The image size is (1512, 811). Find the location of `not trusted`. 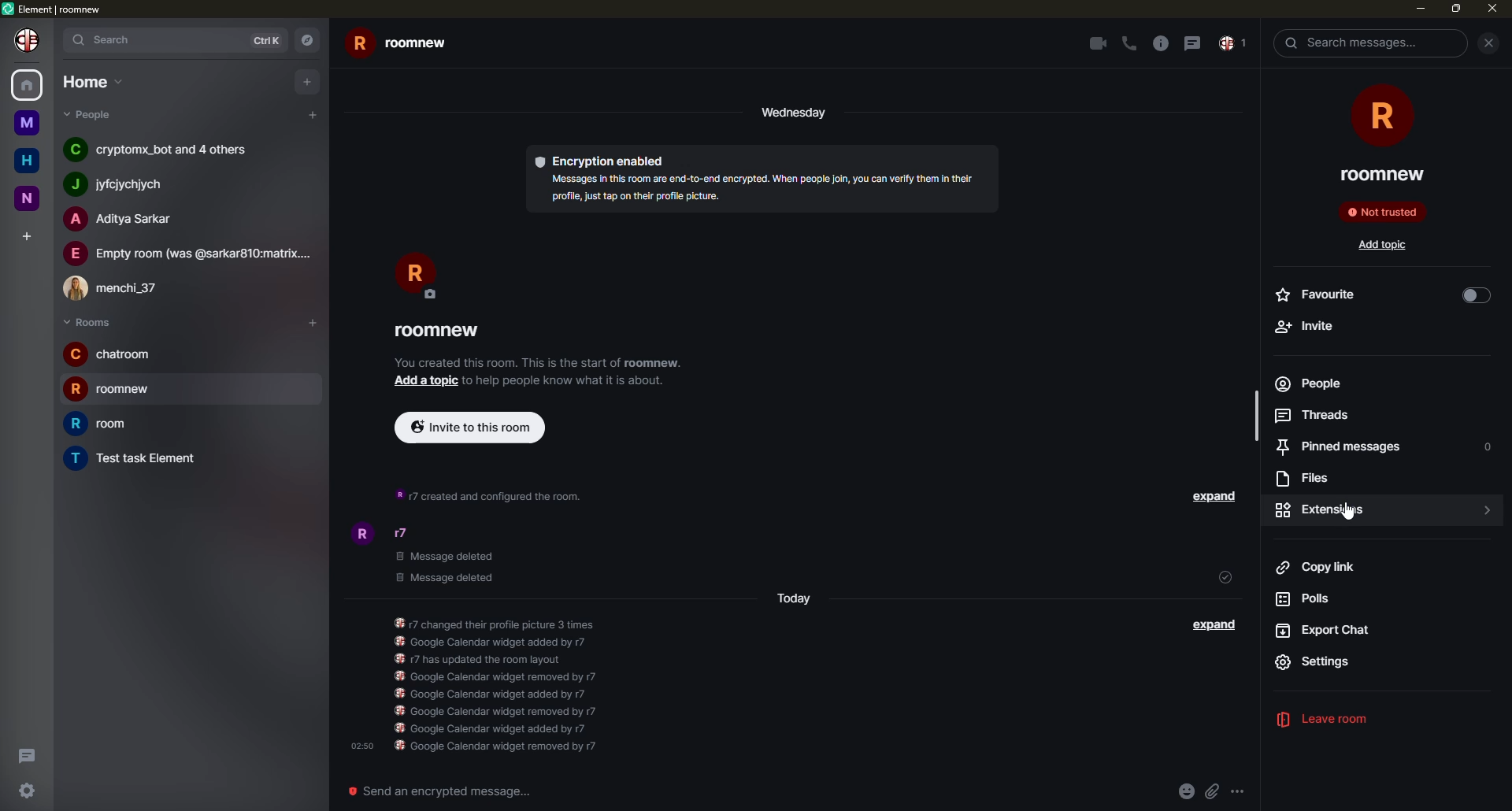

not trusted is located at coordinates (1380, 213).